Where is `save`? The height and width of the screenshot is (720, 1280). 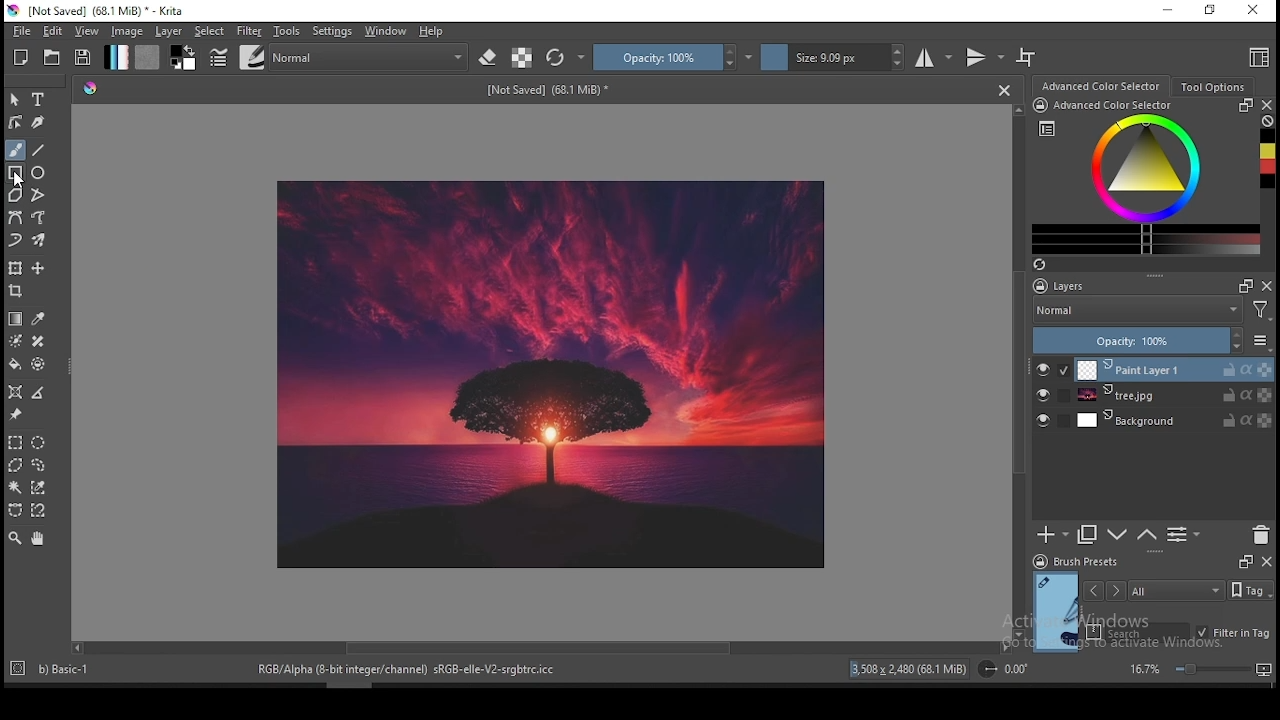
save is located at coordinates (84, 58).